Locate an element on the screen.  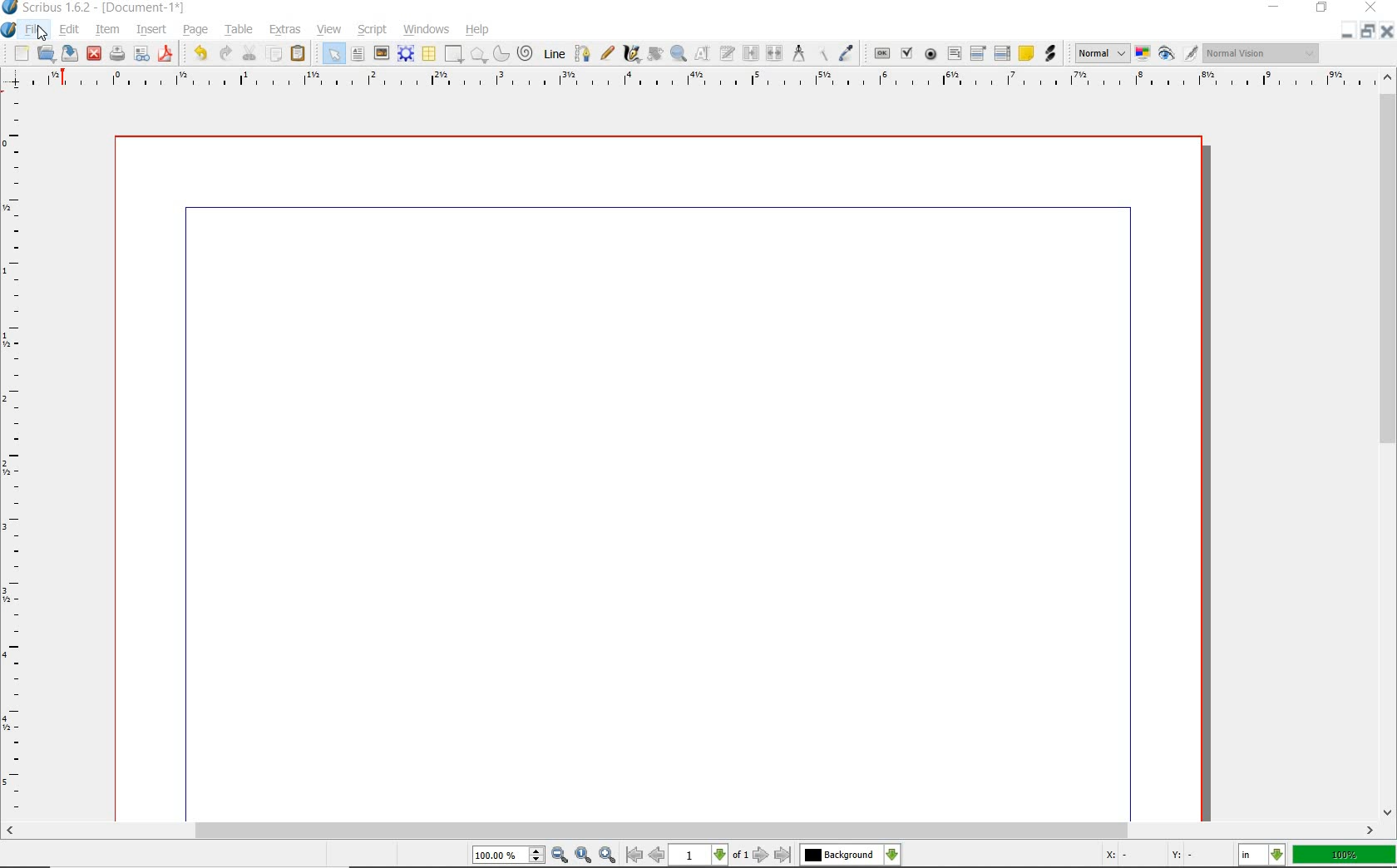
ruler is located at coordinates (703, 82).